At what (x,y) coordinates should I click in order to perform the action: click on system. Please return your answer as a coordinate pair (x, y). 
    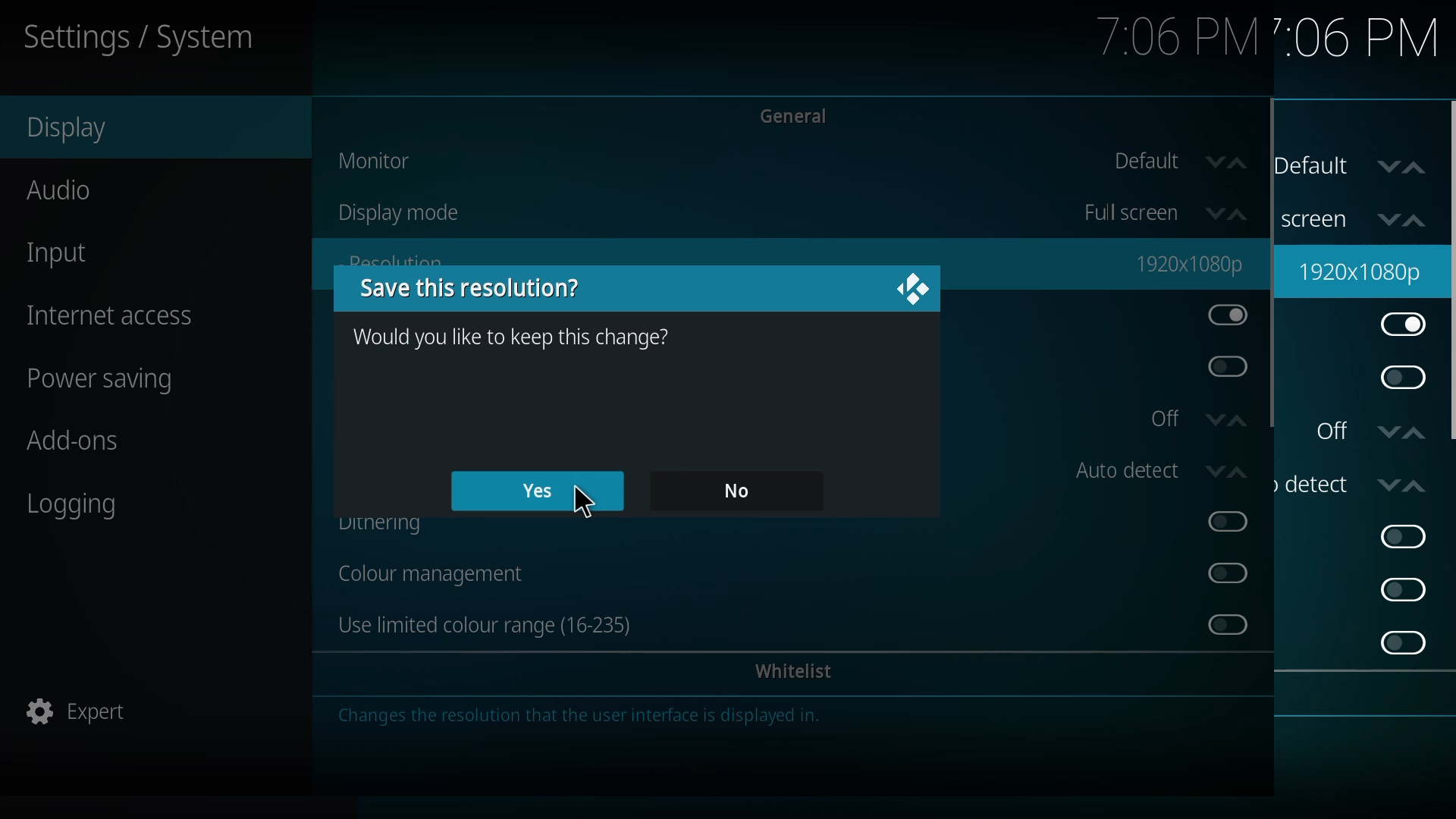
    Looking at the image, I should click on (171, 38).